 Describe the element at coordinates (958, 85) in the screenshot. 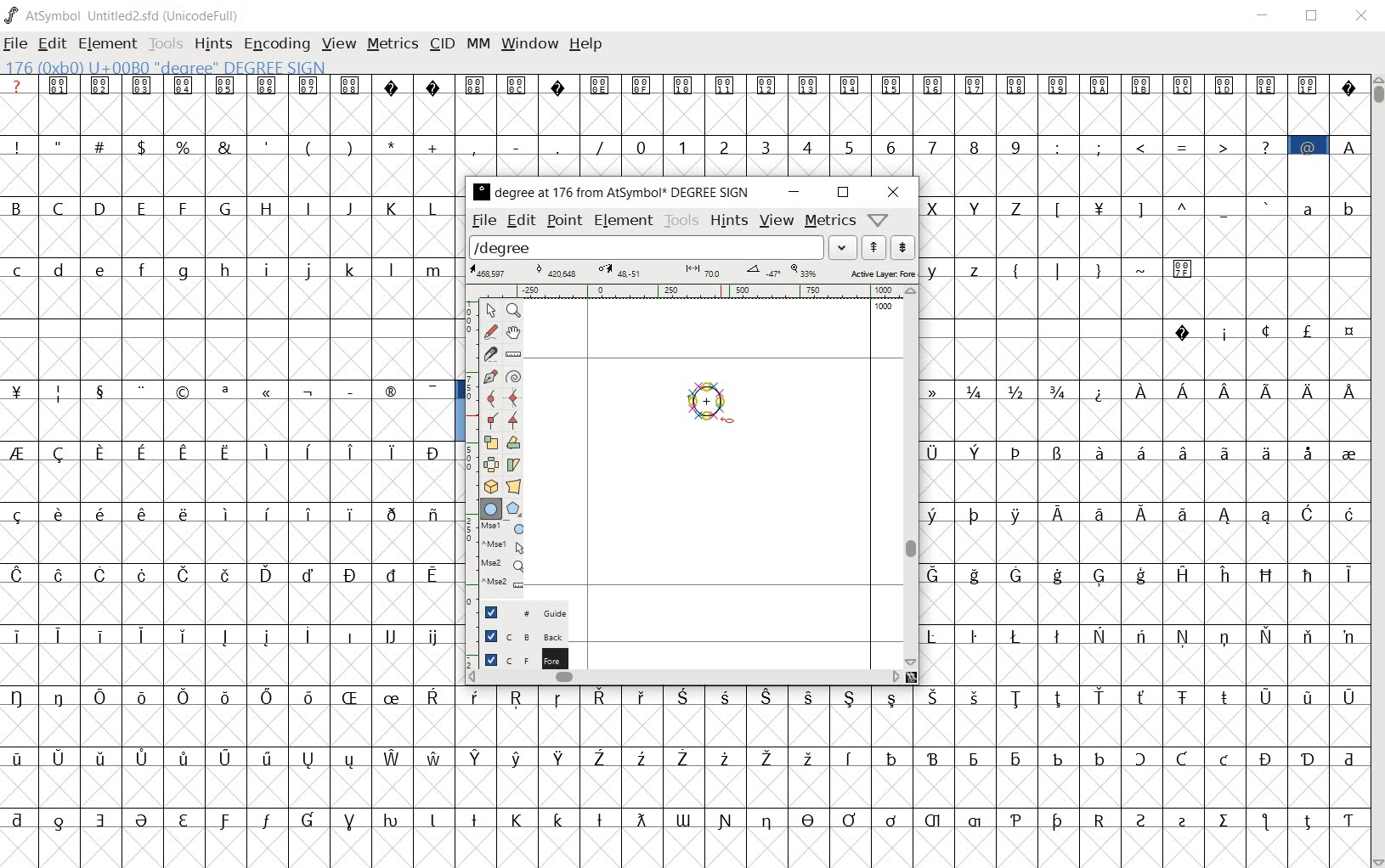

I see `unicode code points` at that location.